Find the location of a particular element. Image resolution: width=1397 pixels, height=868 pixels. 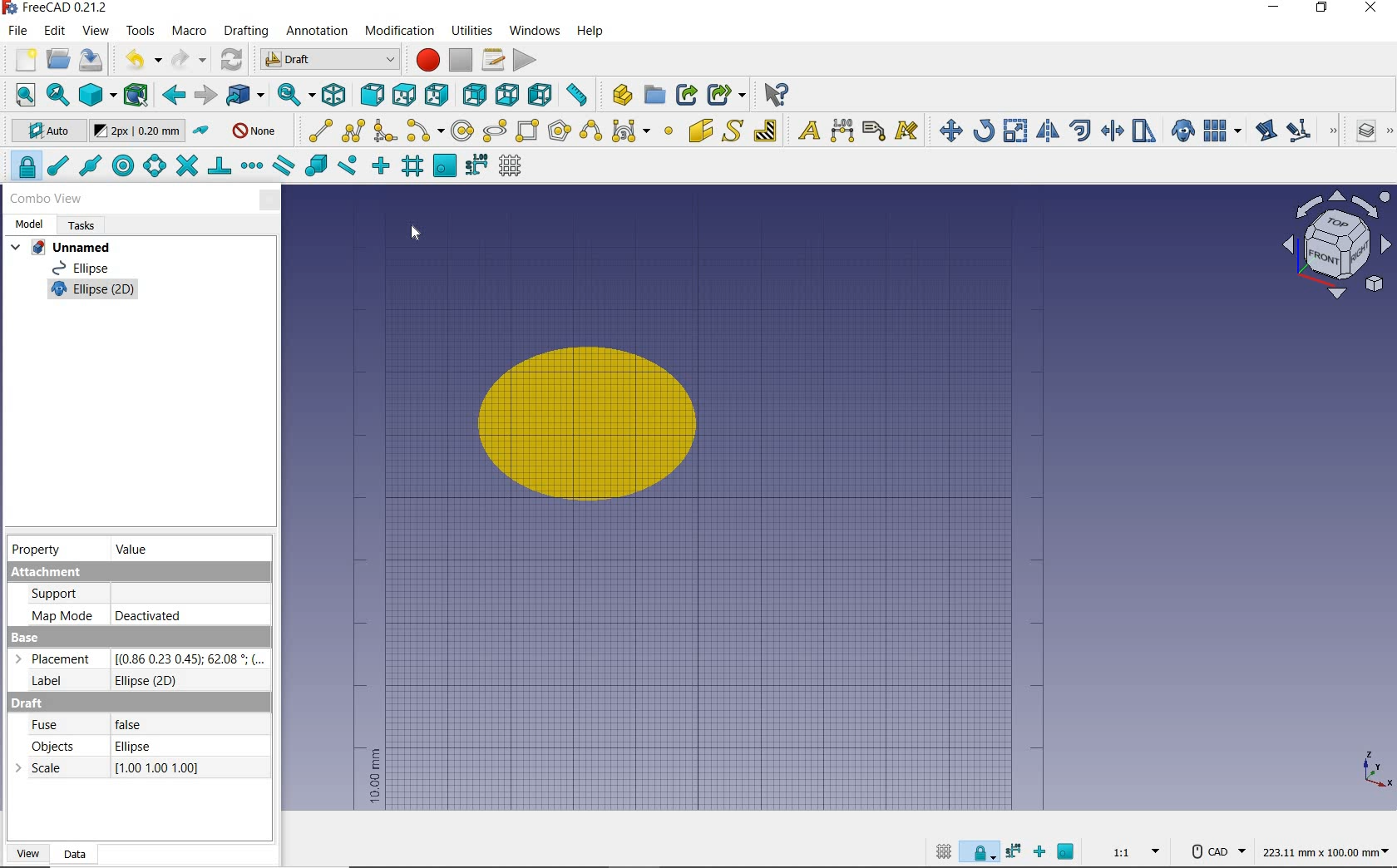

modification is located at coordinates (398, 32).